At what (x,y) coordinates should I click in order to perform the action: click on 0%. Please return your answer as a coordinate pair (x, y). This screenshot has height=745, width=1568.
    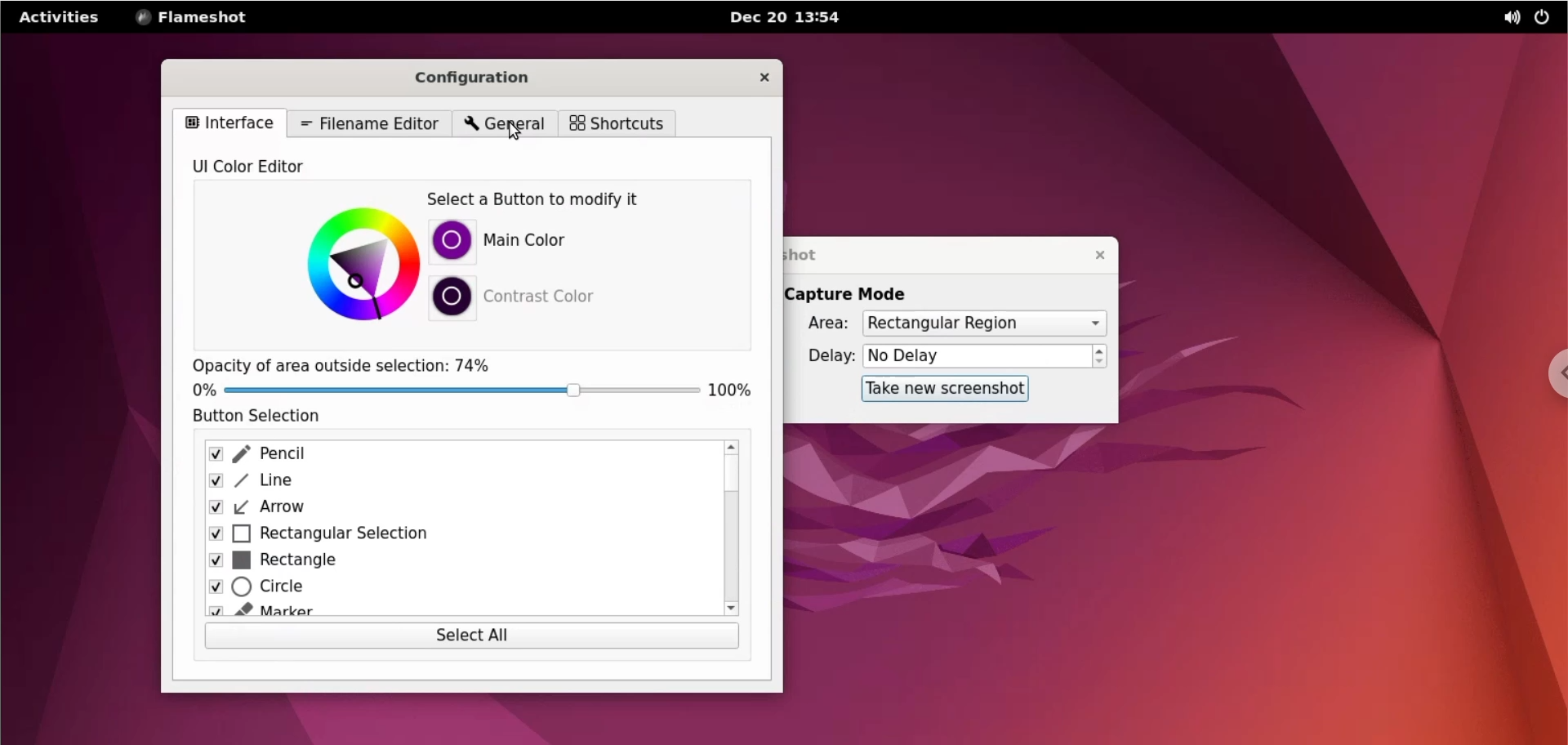
    Looking at the image, I should click on (203, 390).